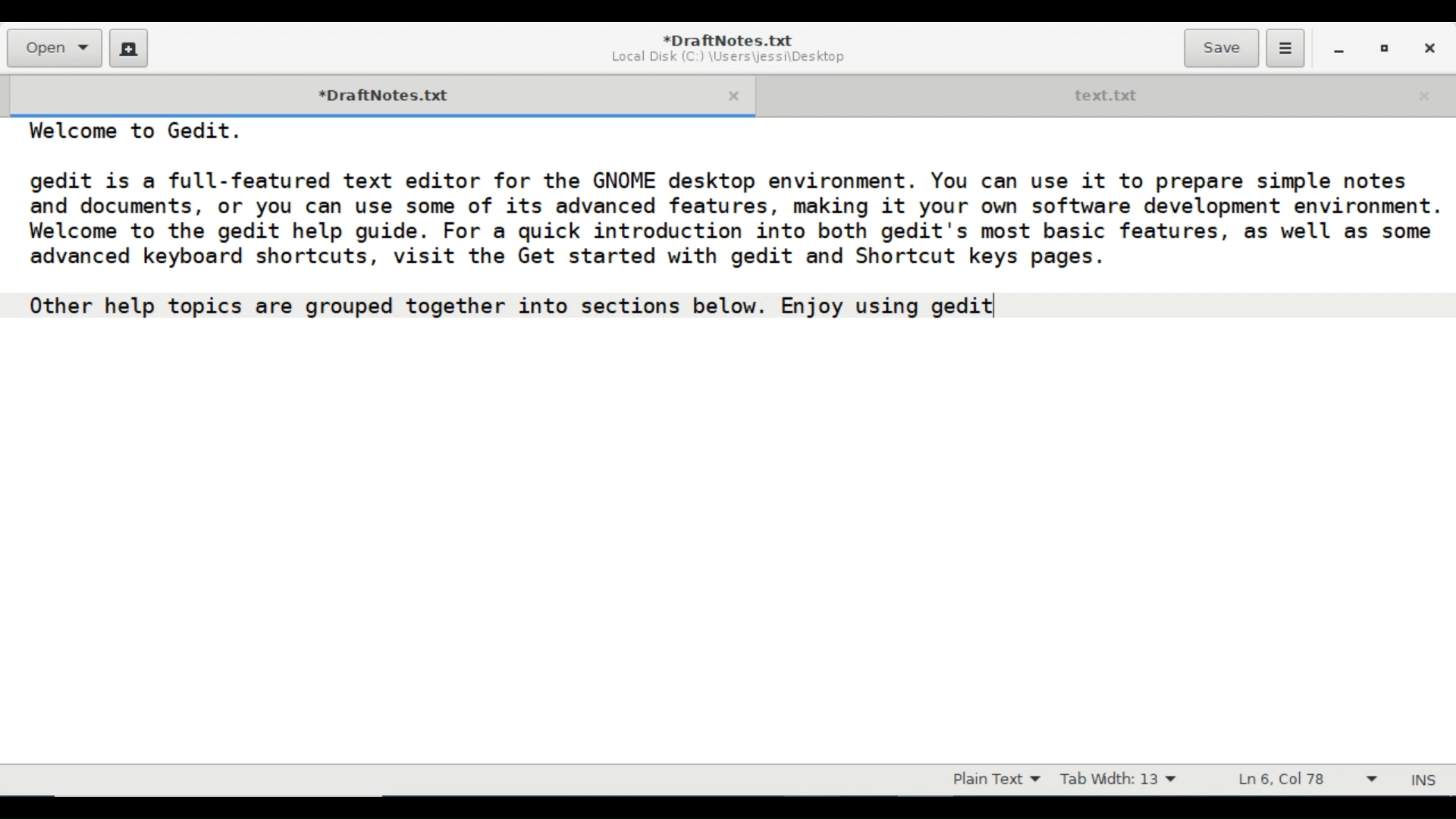 This screenshot has width=1456, height=819. Describe the element at coordinates (53, 48) in the screenshot. I see `Open` at that location.